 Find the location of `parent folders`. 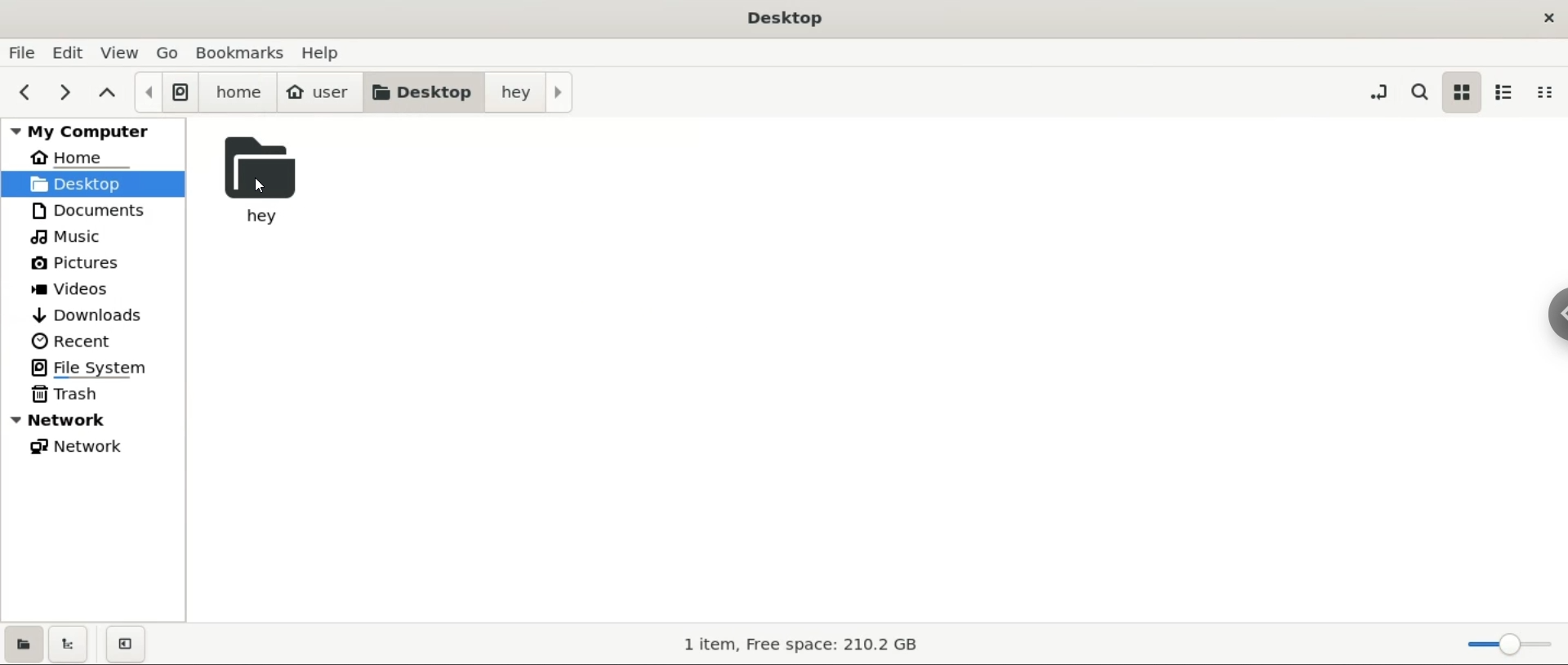

parent folders is located at coordinates (109, 92).